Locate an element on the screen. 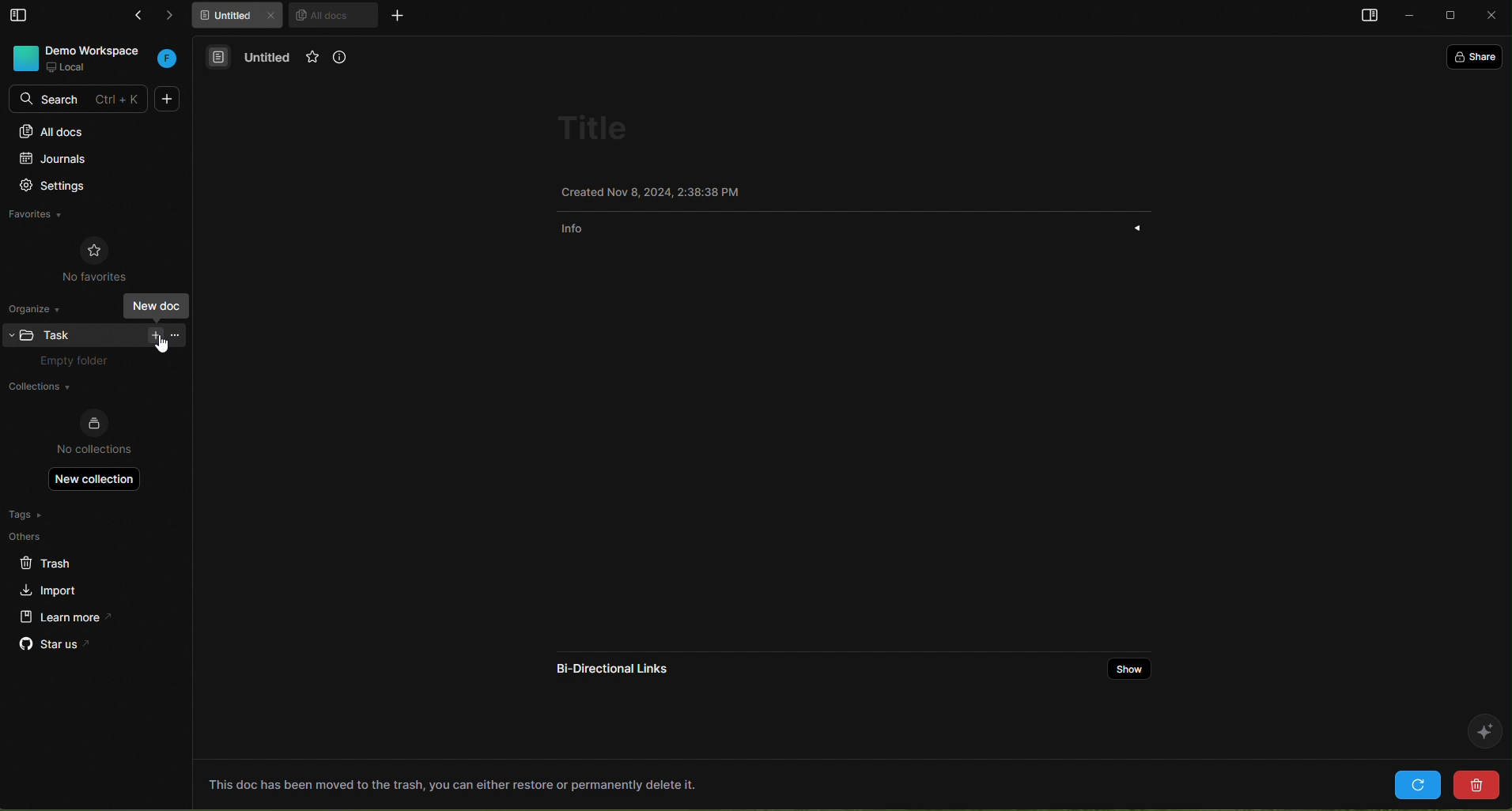  collections is located at coordinates (89, 388).